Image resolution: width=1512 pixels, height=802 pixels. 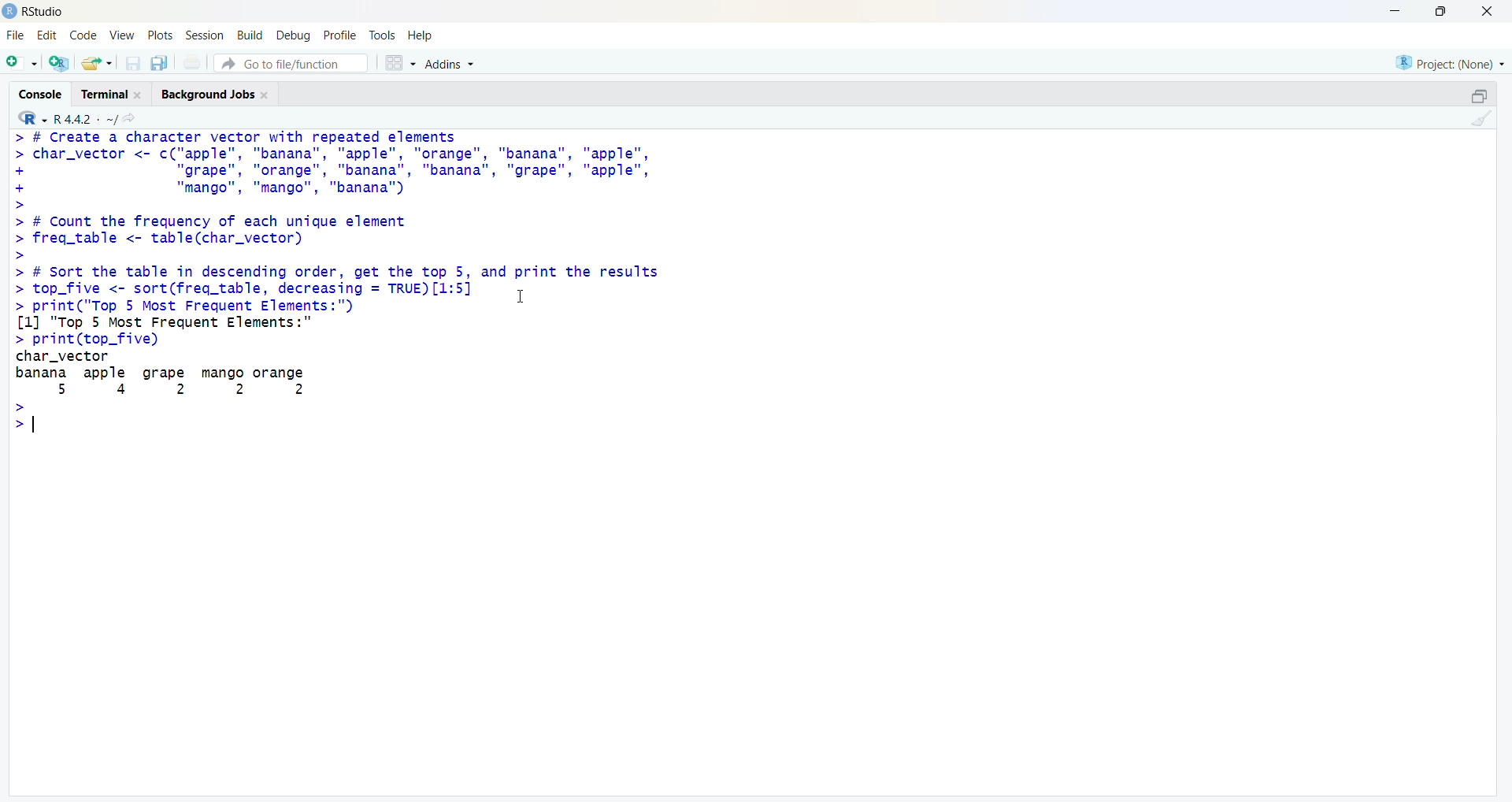 What do you see at coordinates (382, 35) in the screenshot?
I see `Tools` at bounding box center [382, 35].